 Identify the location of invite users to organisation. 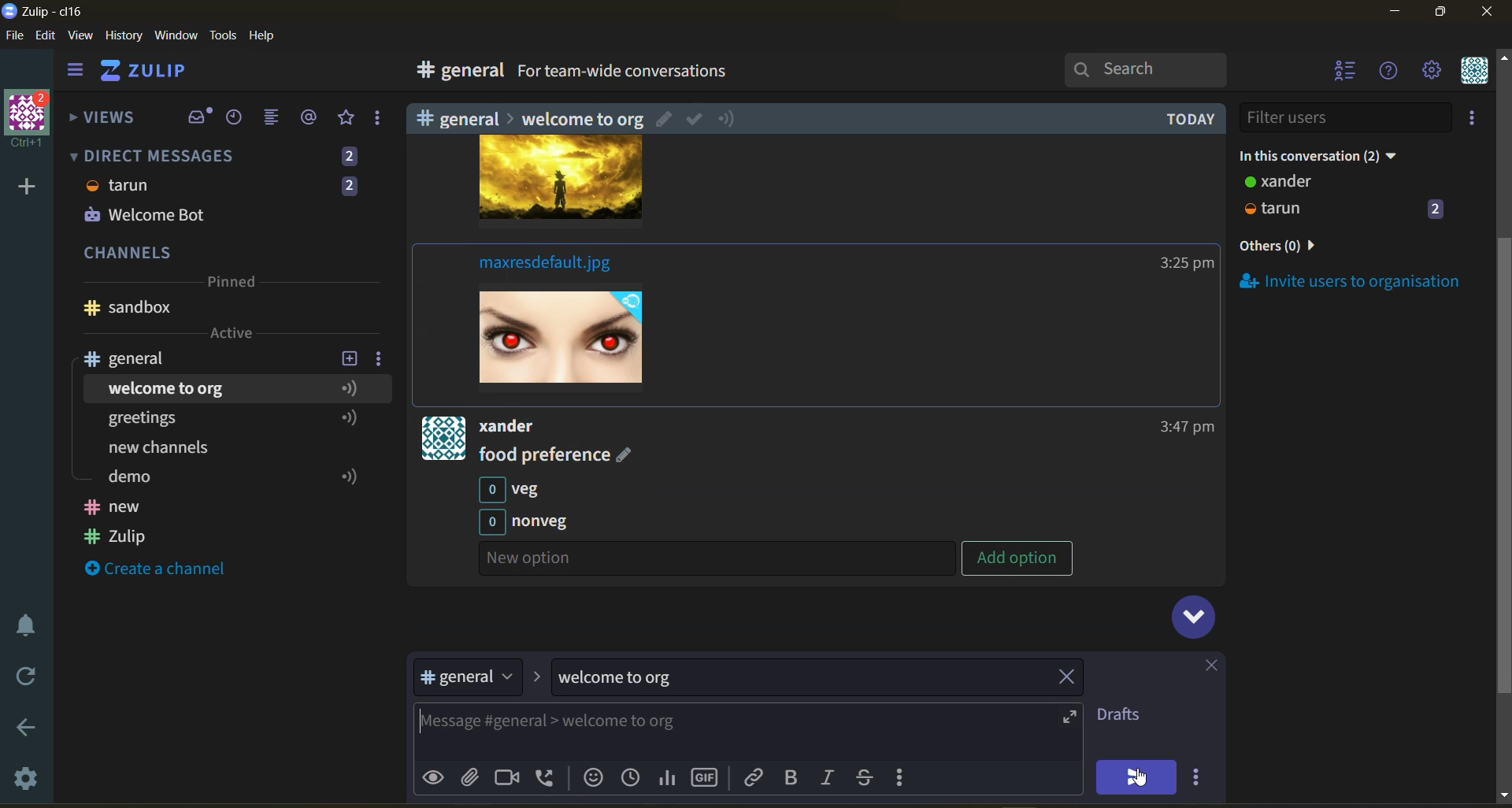
(1351, 280).